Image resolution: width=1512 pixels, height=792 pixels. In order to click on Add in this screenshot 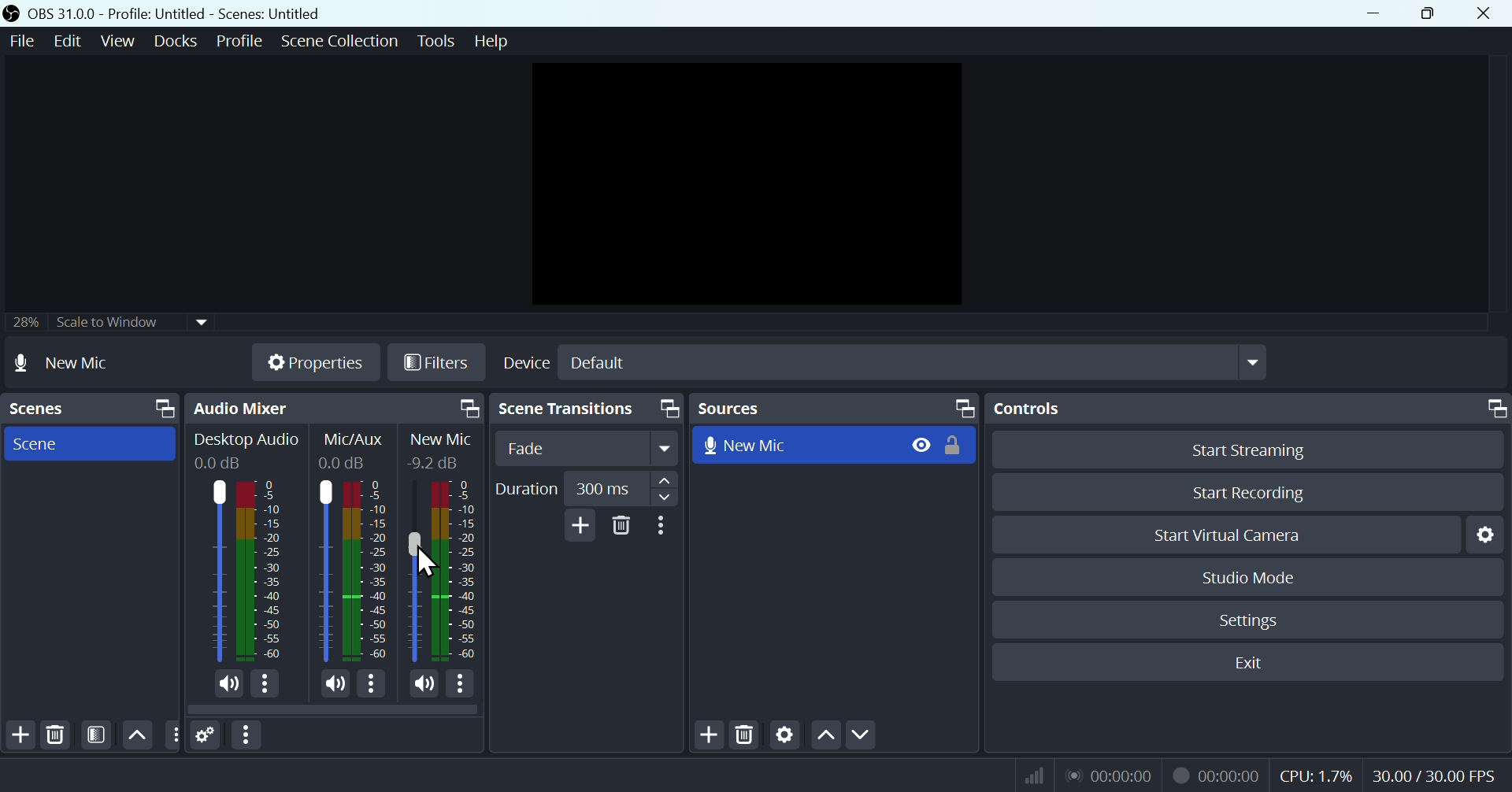, I will do `click(711, 736)`.